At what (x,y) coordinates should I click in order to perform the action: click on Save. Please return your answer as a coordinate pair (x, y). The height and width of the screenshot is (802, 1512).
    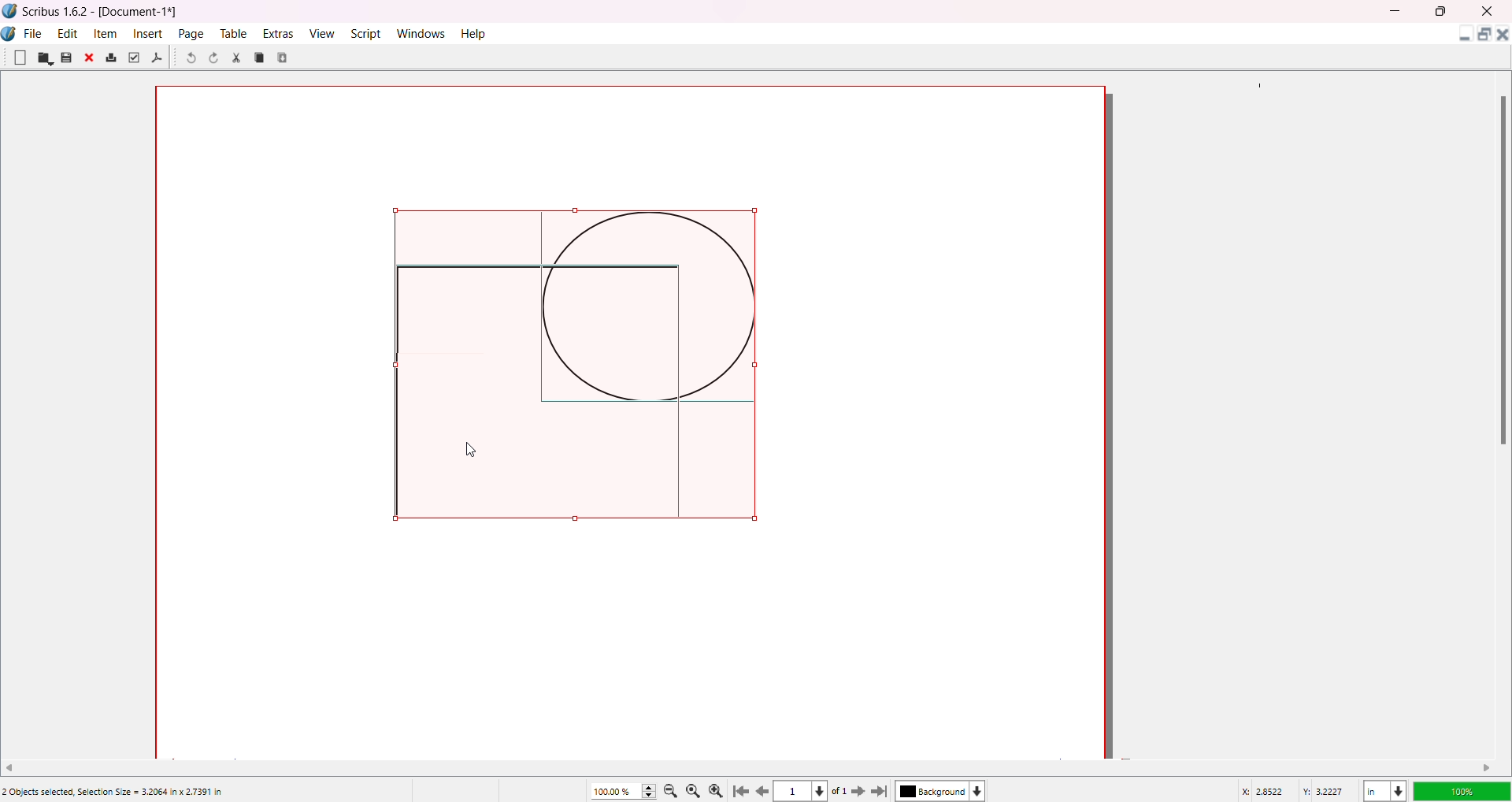
    Looking at the image, I should click on (66, 58).